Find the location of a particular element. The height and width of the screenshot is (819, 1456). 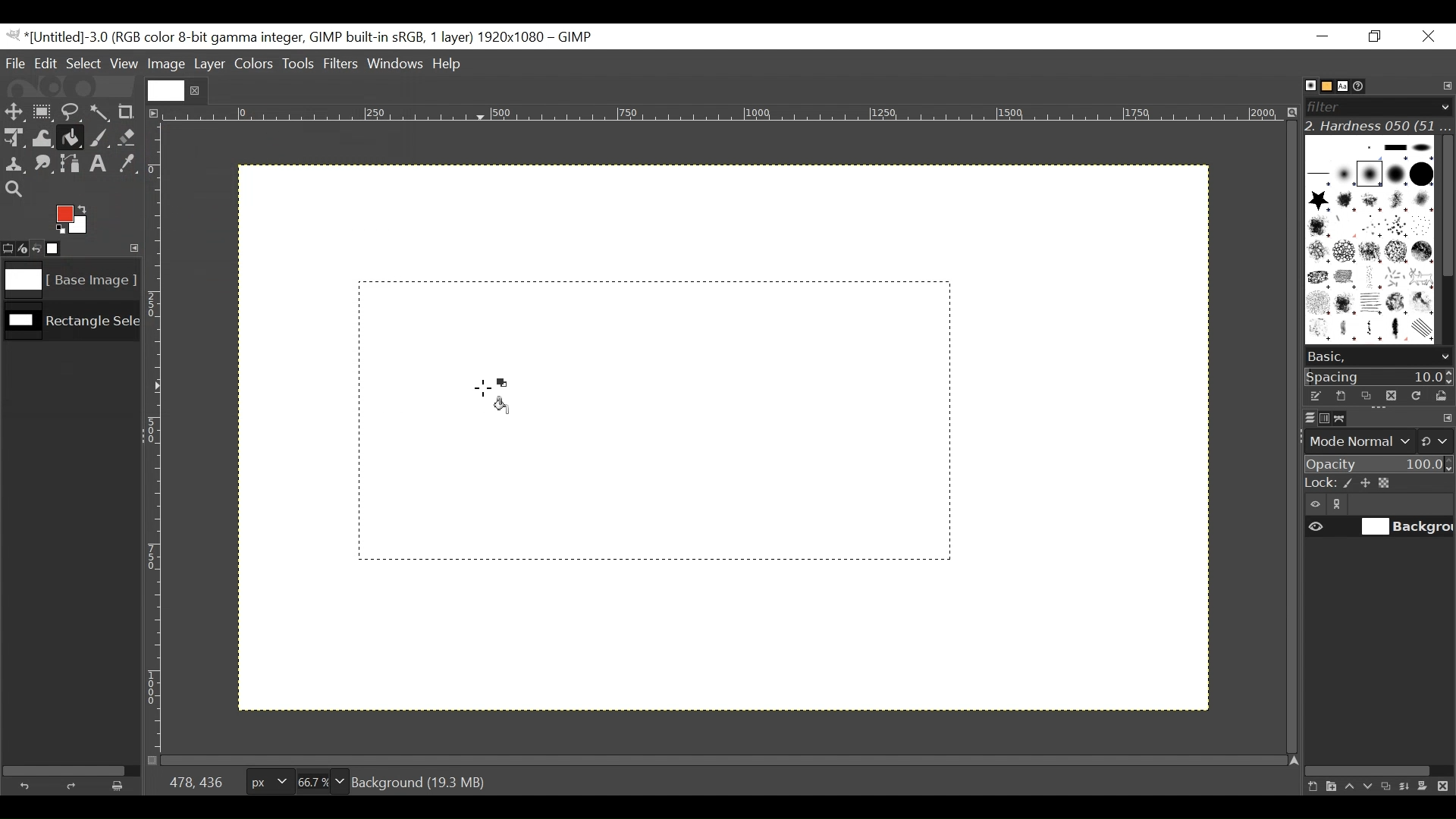

Raise the layer is located at coordinates (1349, 786).